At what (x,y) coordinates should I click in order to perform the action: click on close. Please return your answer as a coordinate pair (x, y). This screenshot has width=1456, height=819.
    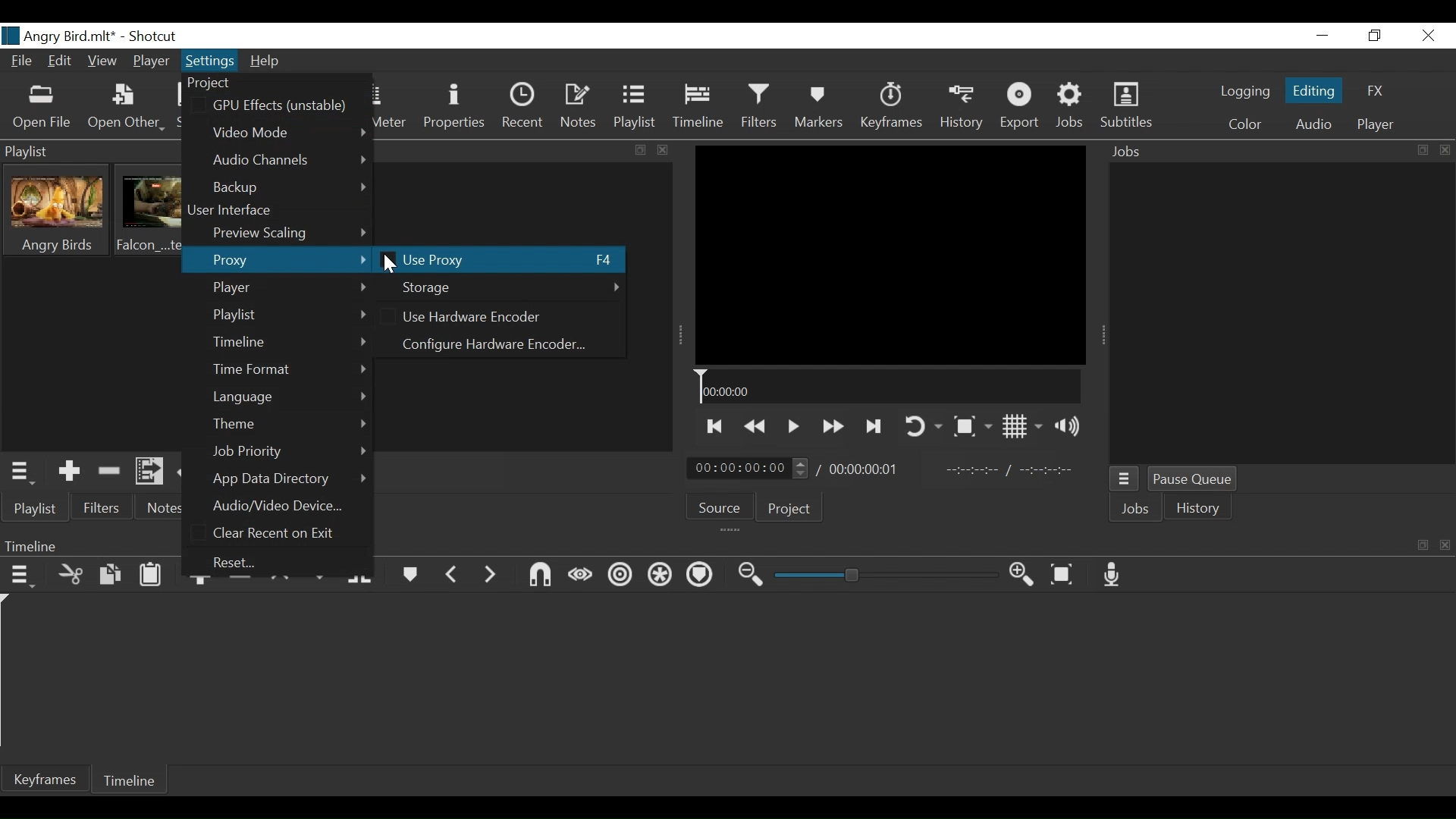
    Looking at the image, I should click on (665, 151).